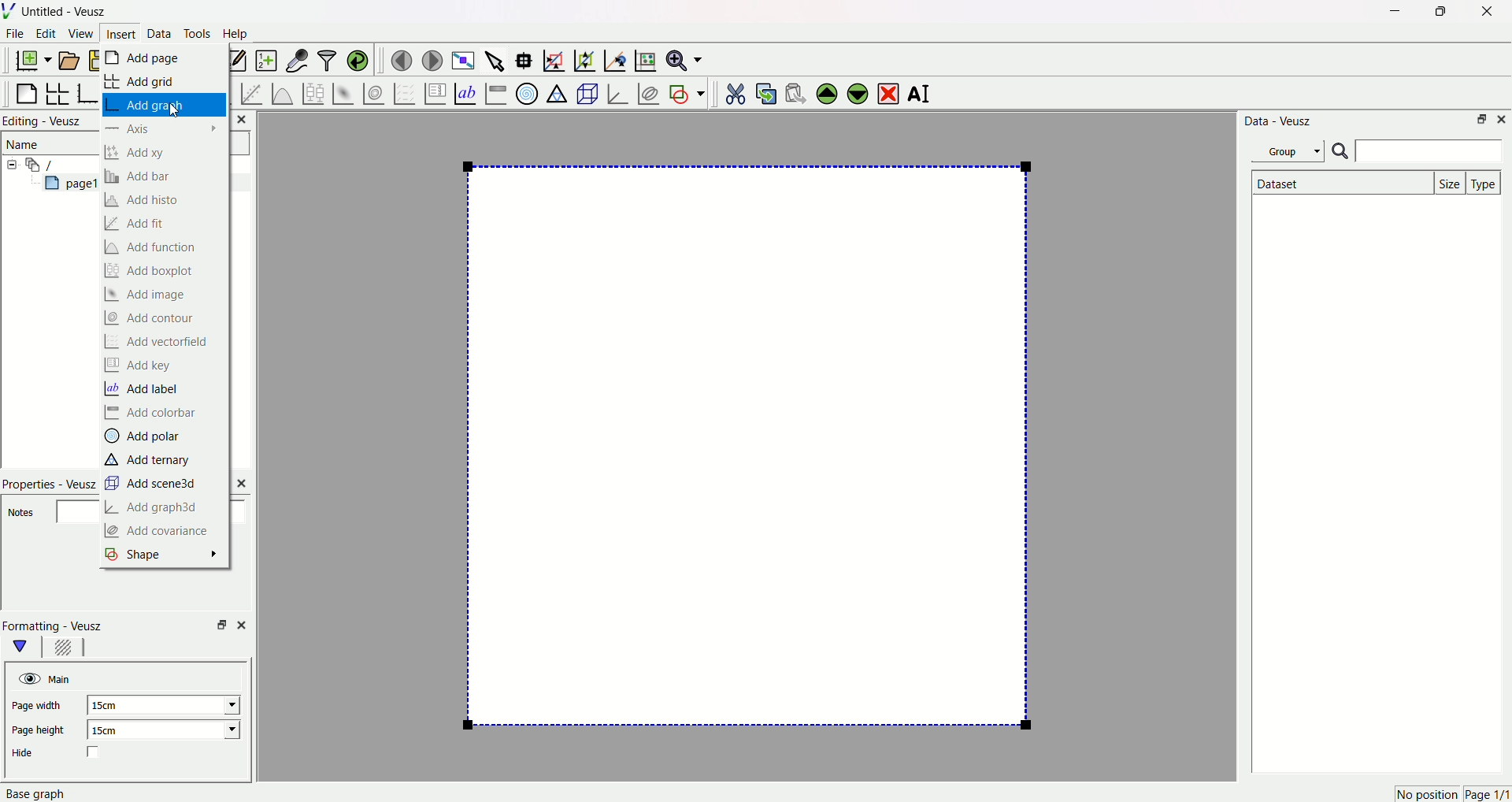  I want to click on add a shape , so click(686, 93).